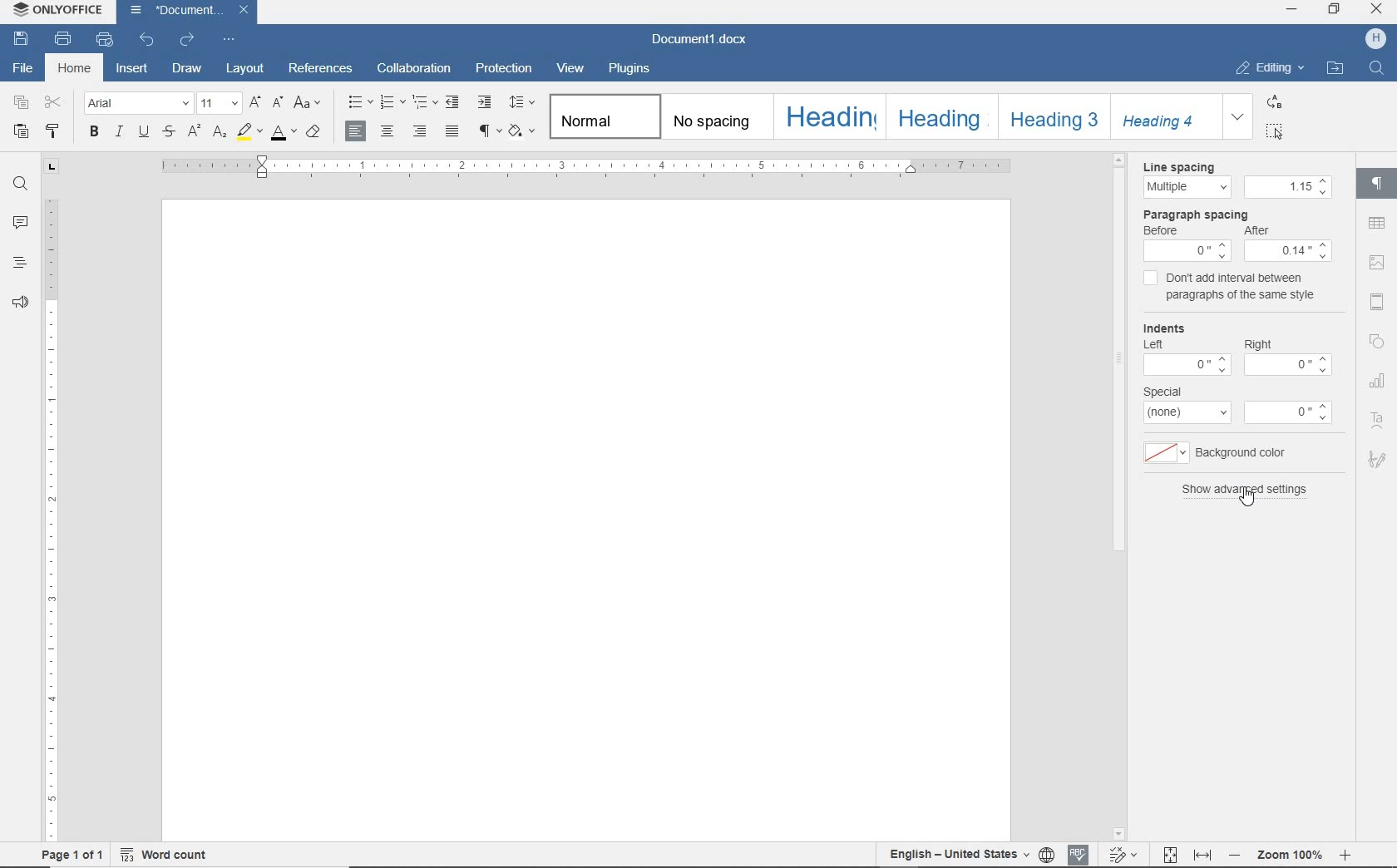  Describe the element at coordinates (1166, 116) in the screenshot. I see `Heading 4` at that location.